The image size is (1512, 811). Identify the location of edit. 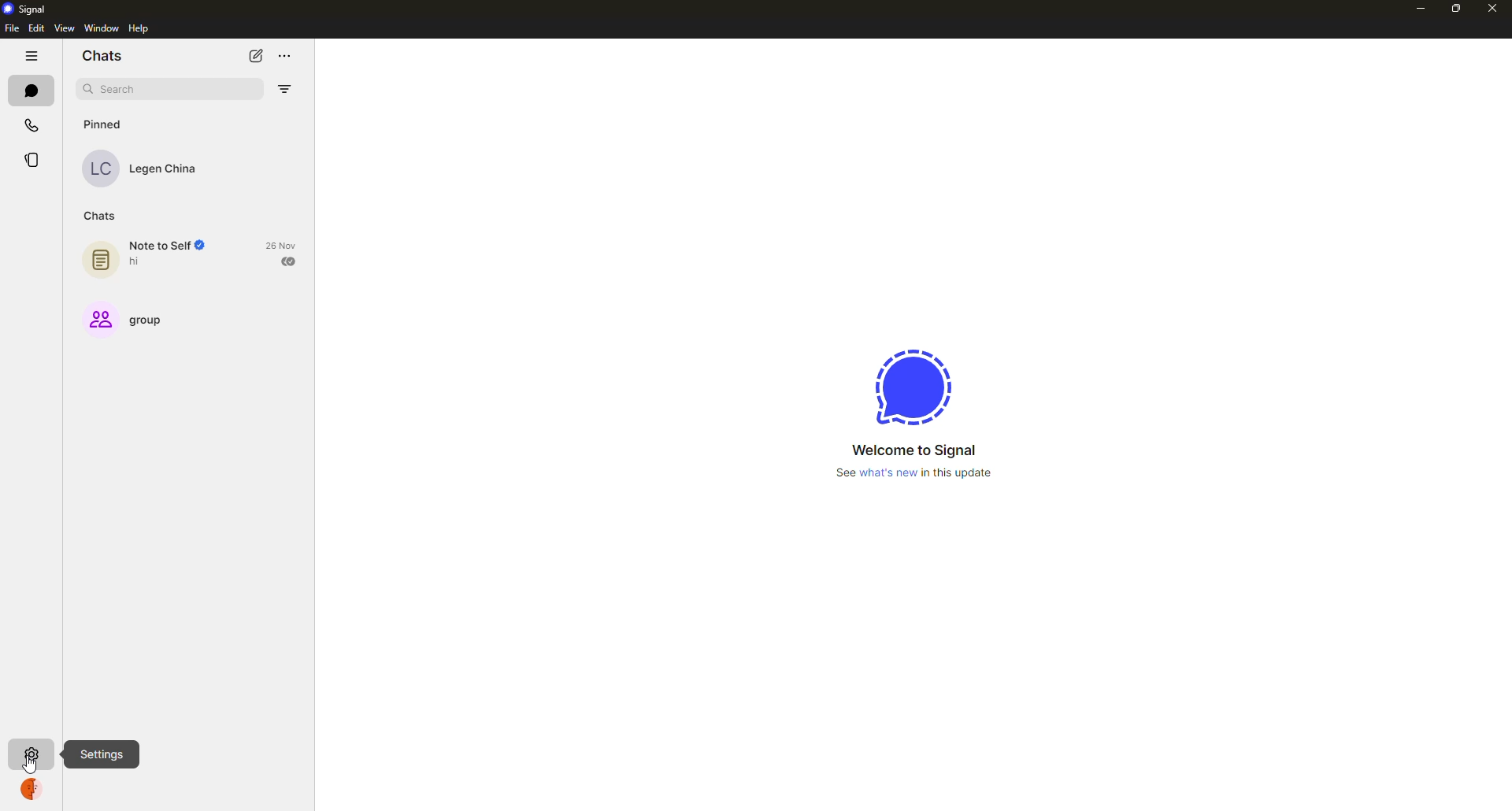
(39, 28).